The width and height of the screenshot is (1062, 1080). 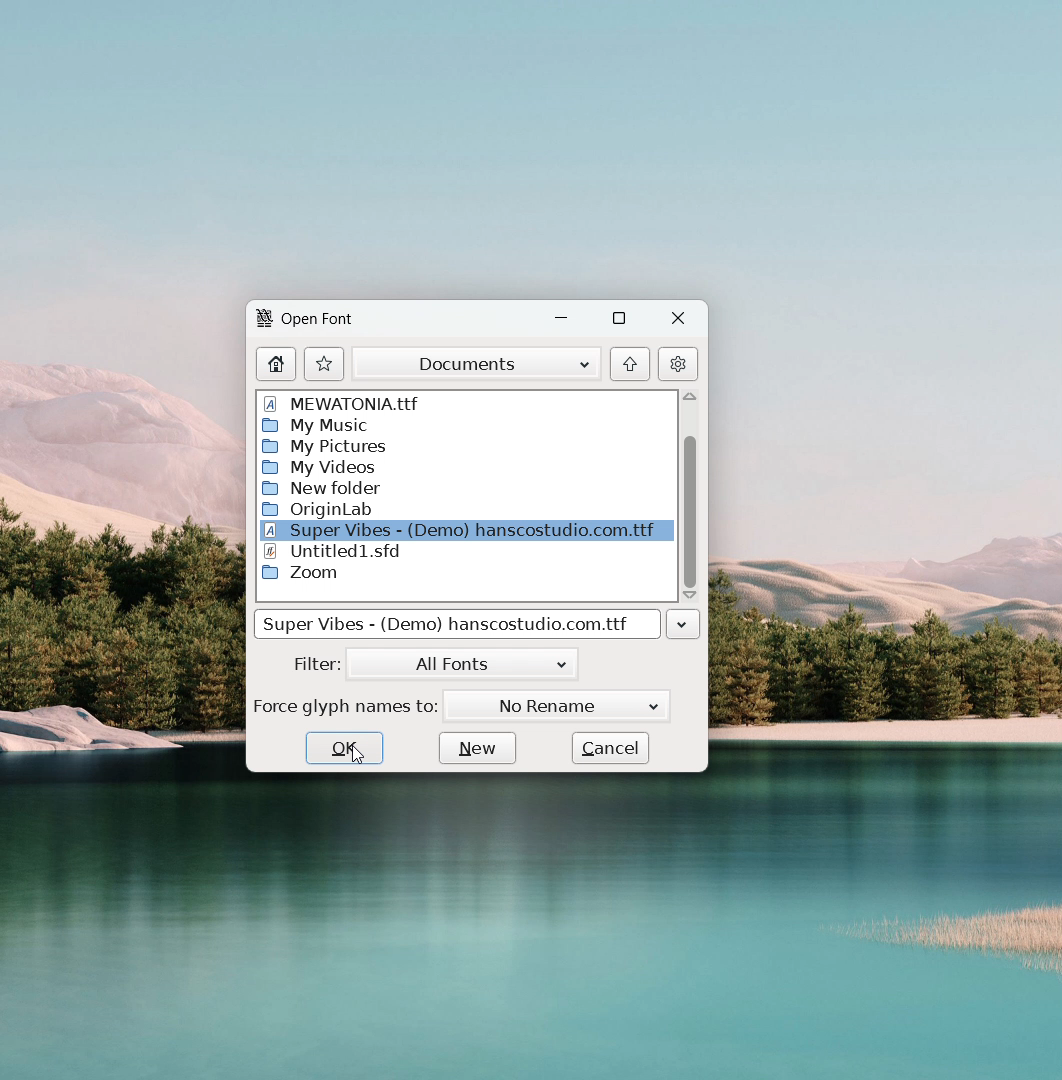 I want to click on  MEWATONIA. ttf, so click(x=347, y=400).